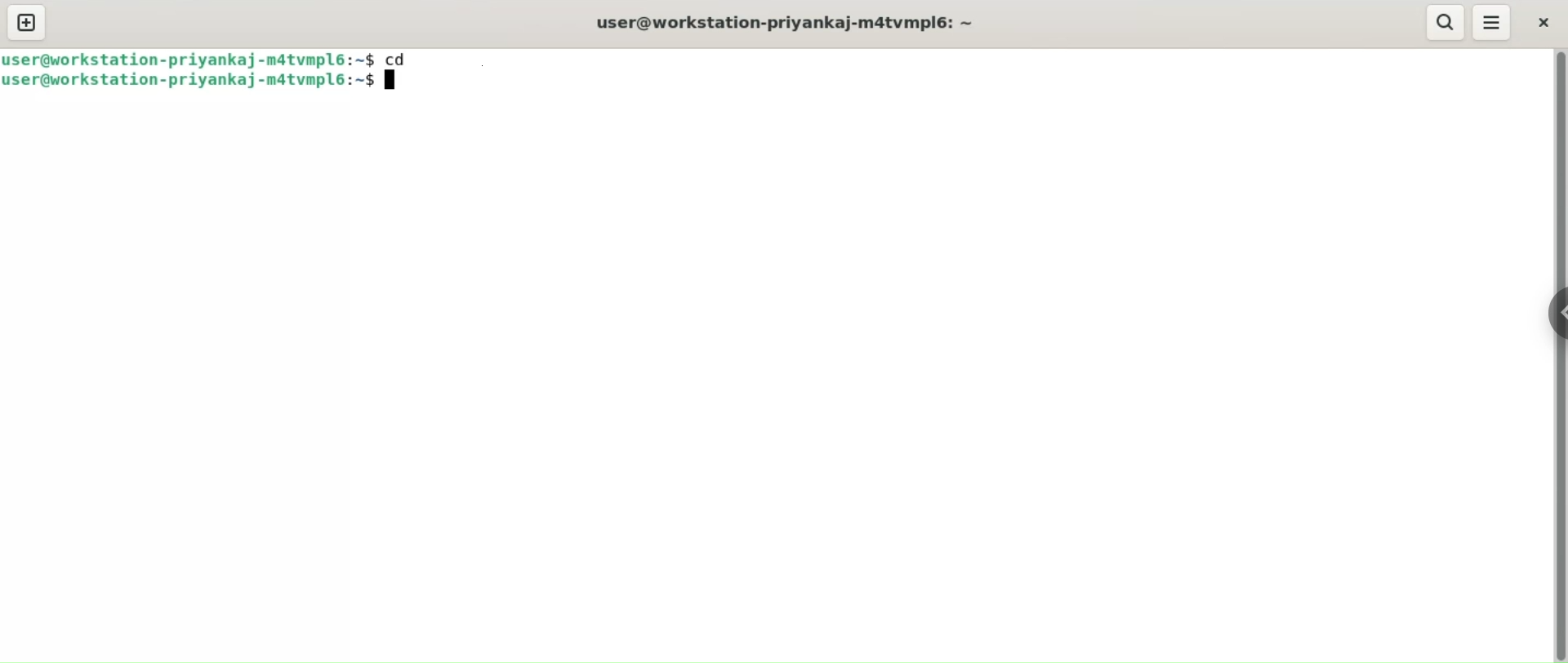  Describe the element at coordinates (1541, 21) in the screenshot. I see `close` at that location.